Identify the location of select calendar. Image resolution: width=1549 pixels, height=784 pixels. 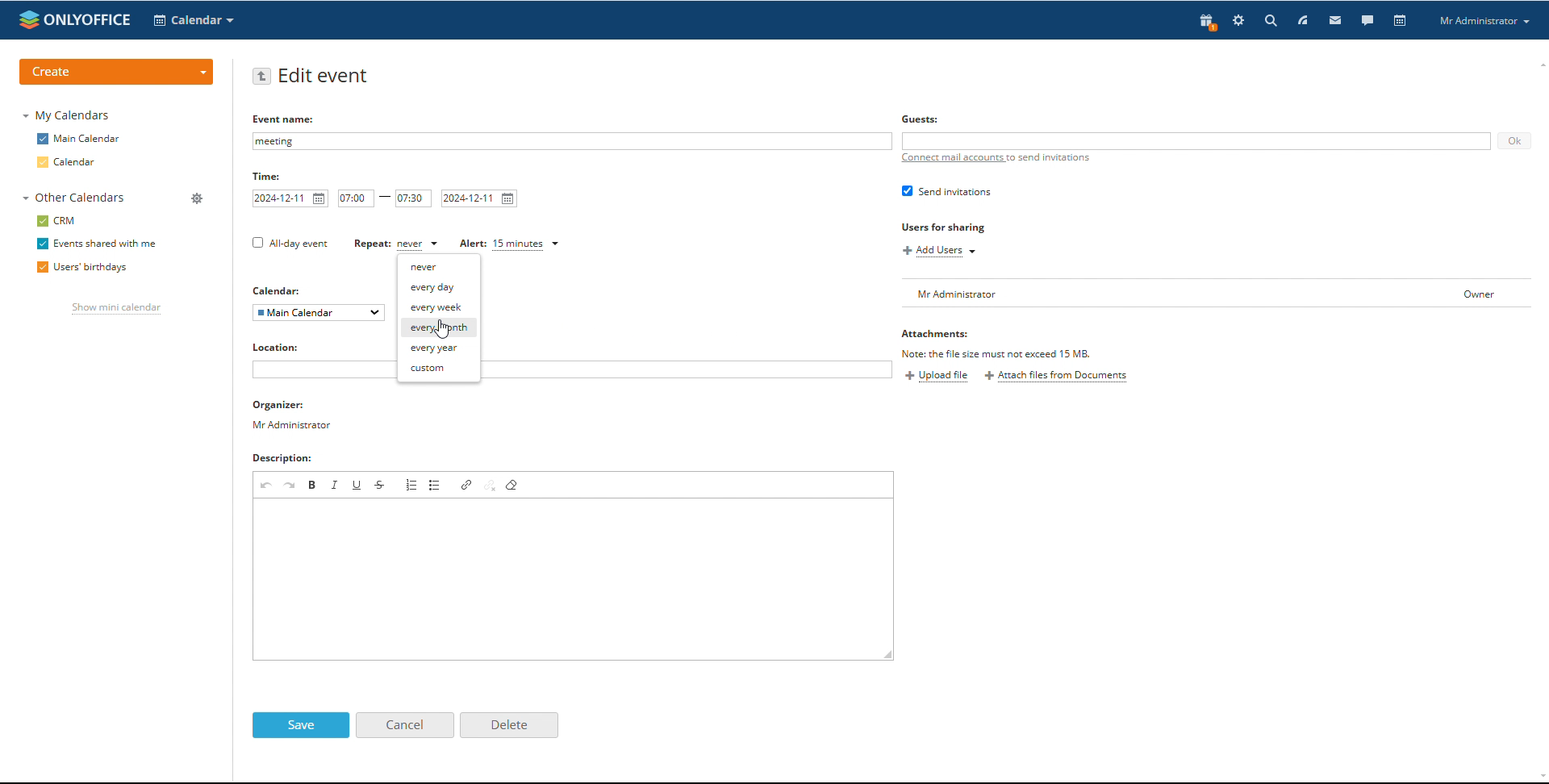
(319, 312).